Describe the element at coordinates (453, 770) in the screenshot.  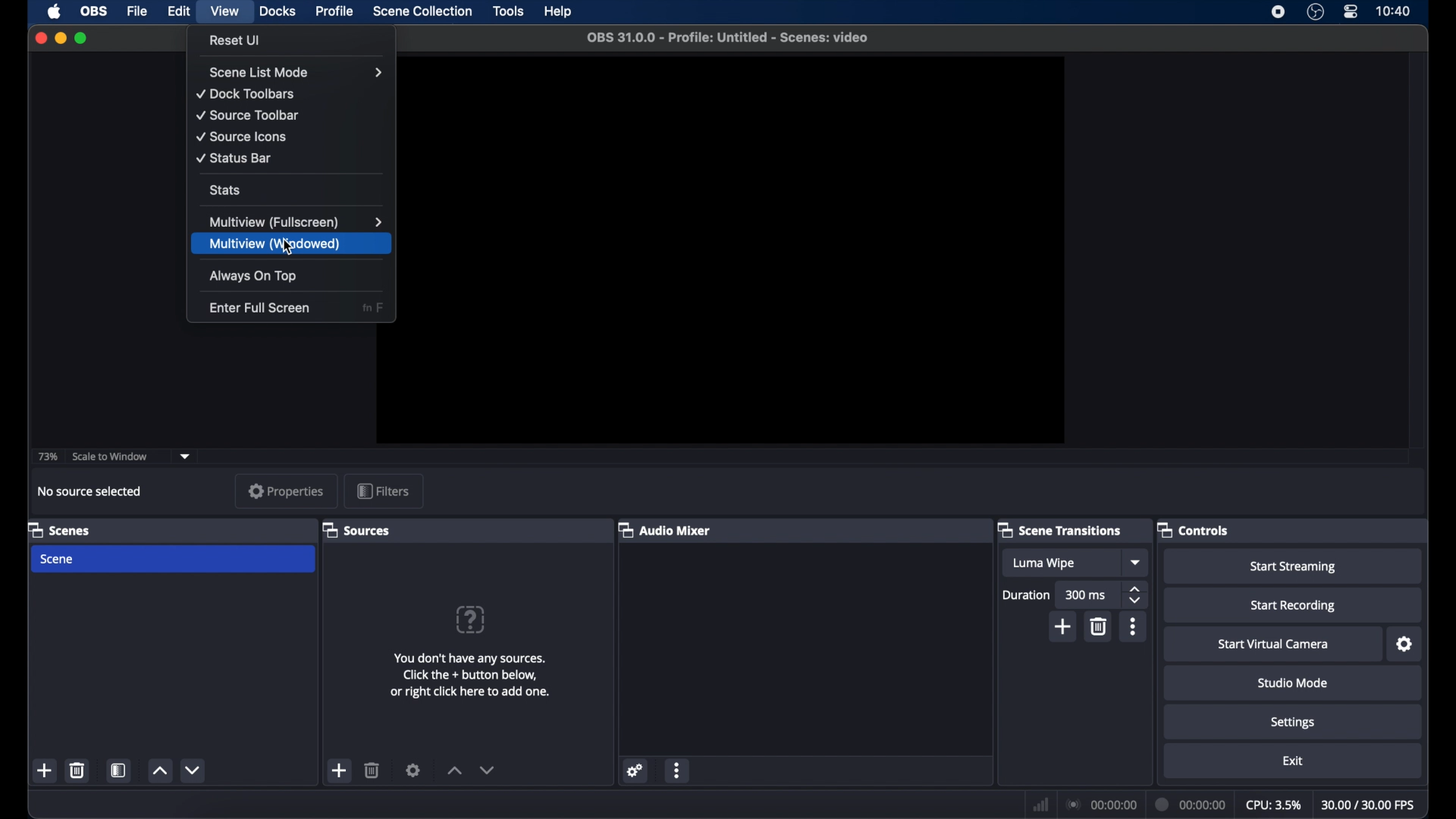
I see `increment` at that location.